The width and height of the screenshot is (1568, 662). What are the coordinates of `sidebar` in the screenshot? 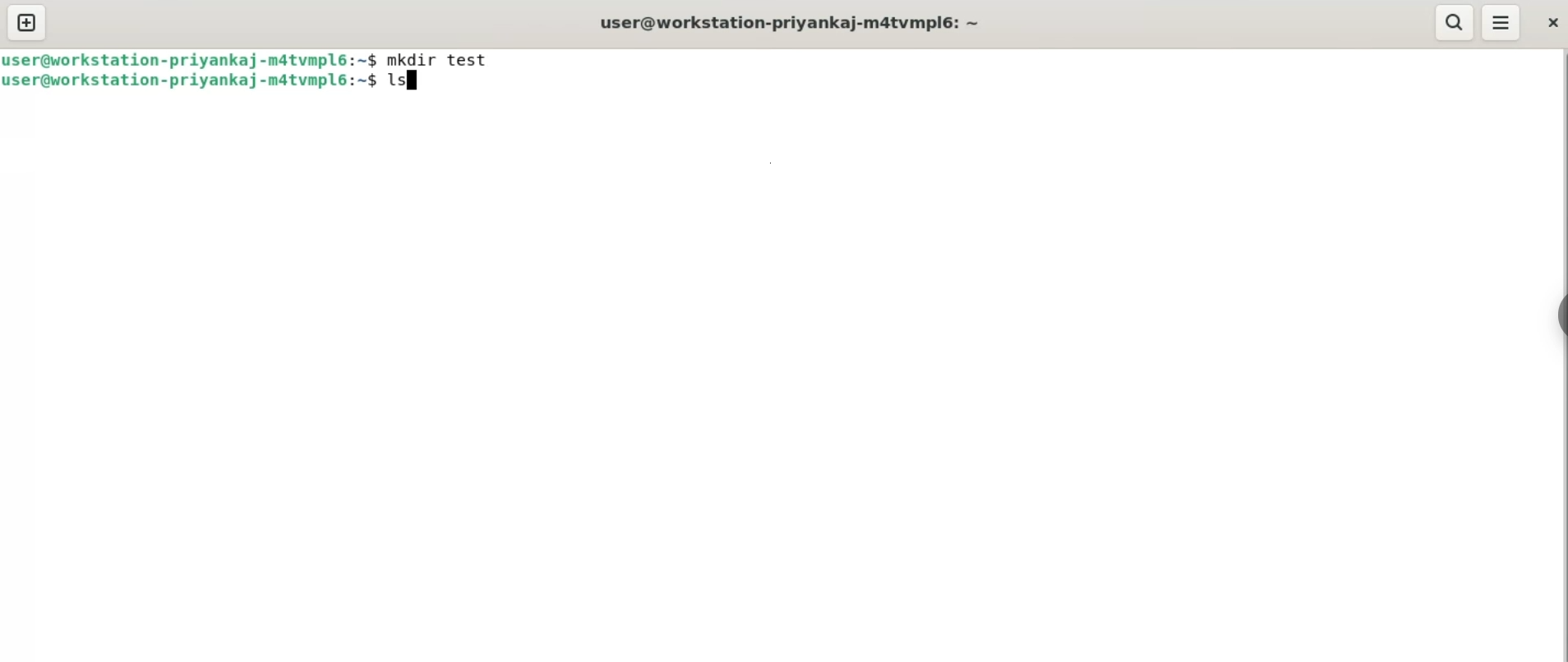 It's located at (1560, 317).